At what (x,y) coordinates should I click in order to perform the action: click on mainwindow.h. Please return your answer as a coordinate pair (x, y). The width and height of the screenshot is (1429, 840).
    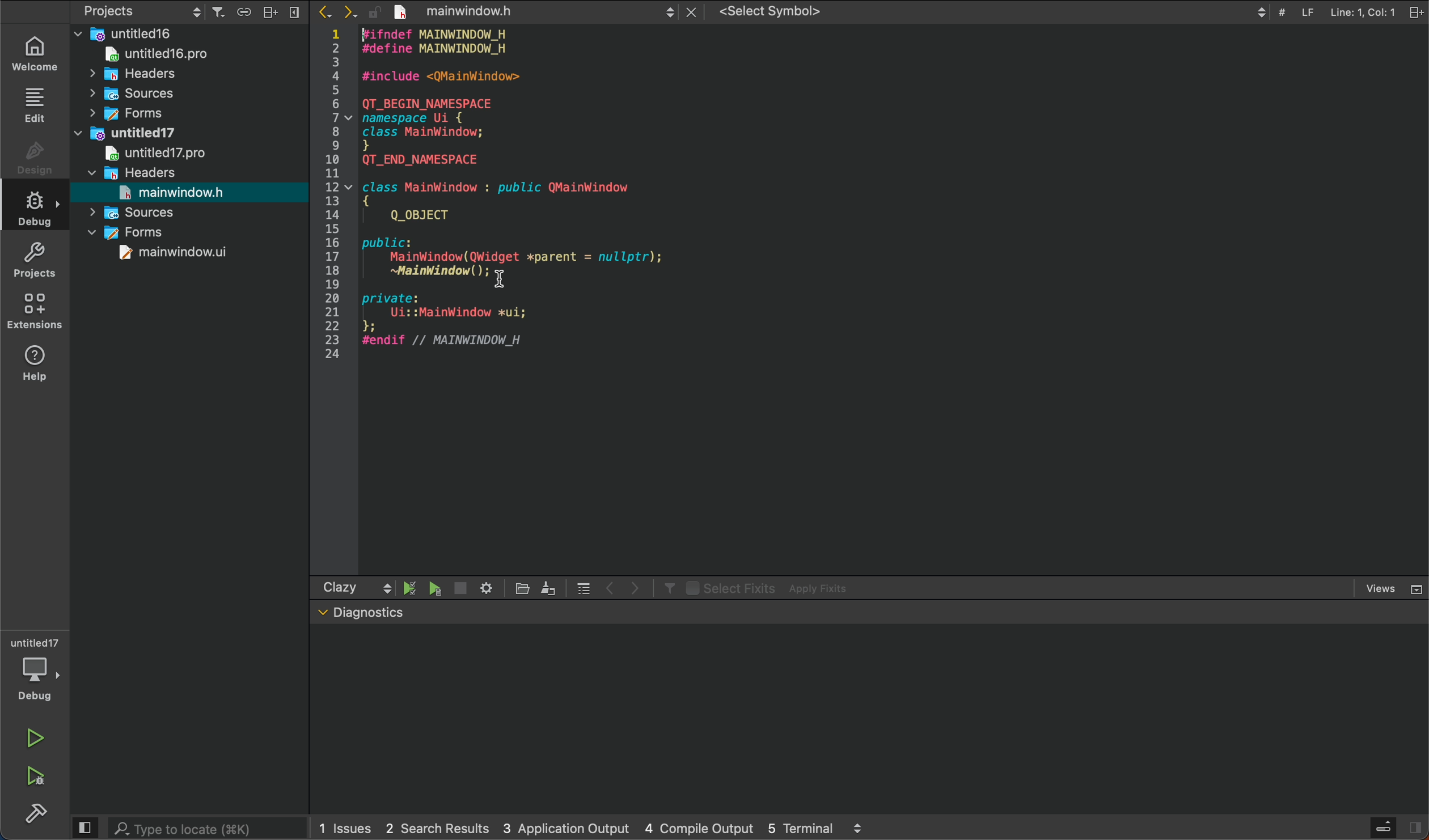
    Looking at the image, I should click on (545, 12).